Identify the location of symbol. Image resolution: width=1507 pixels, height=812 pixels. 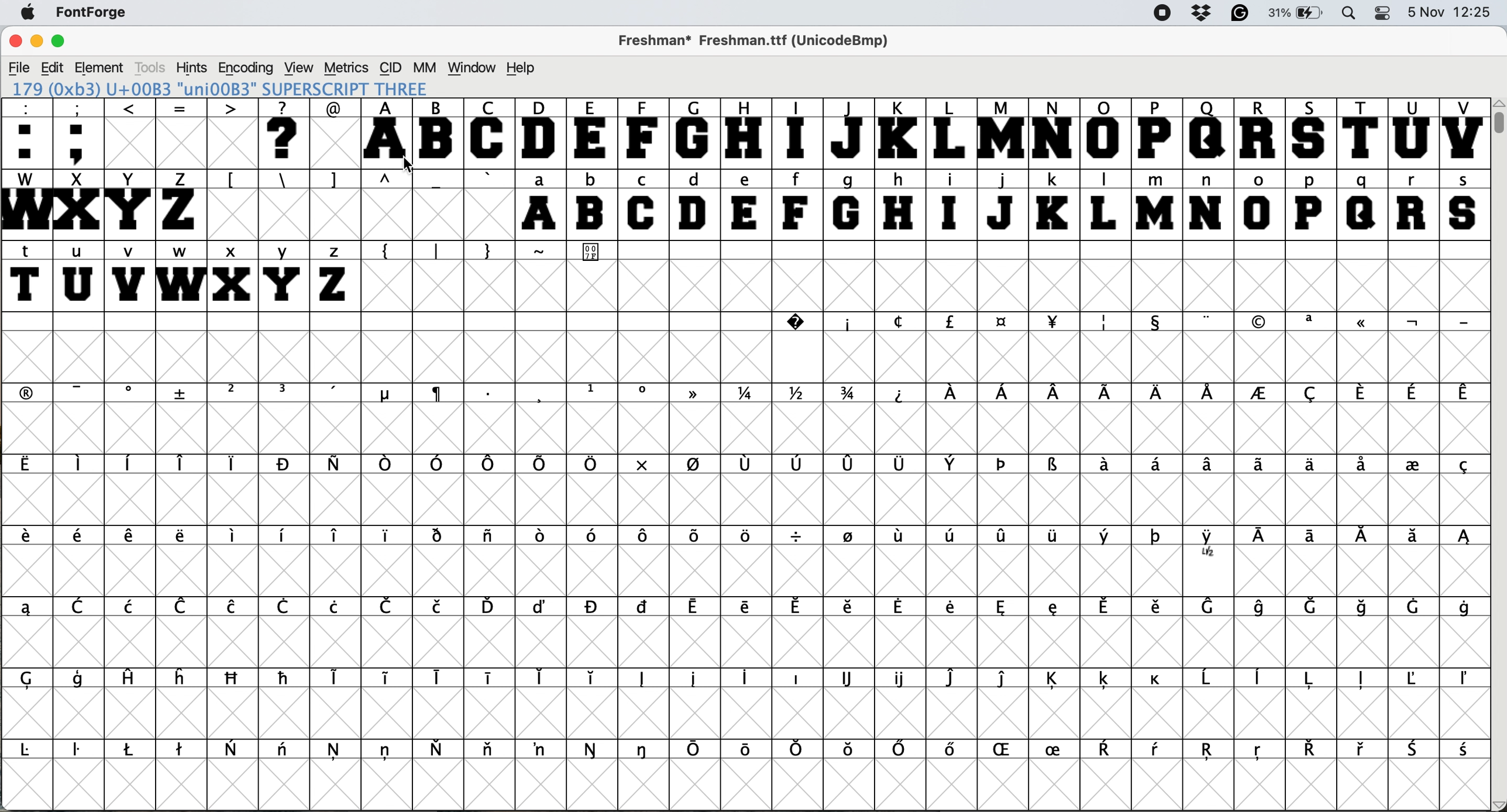
(27, 465).